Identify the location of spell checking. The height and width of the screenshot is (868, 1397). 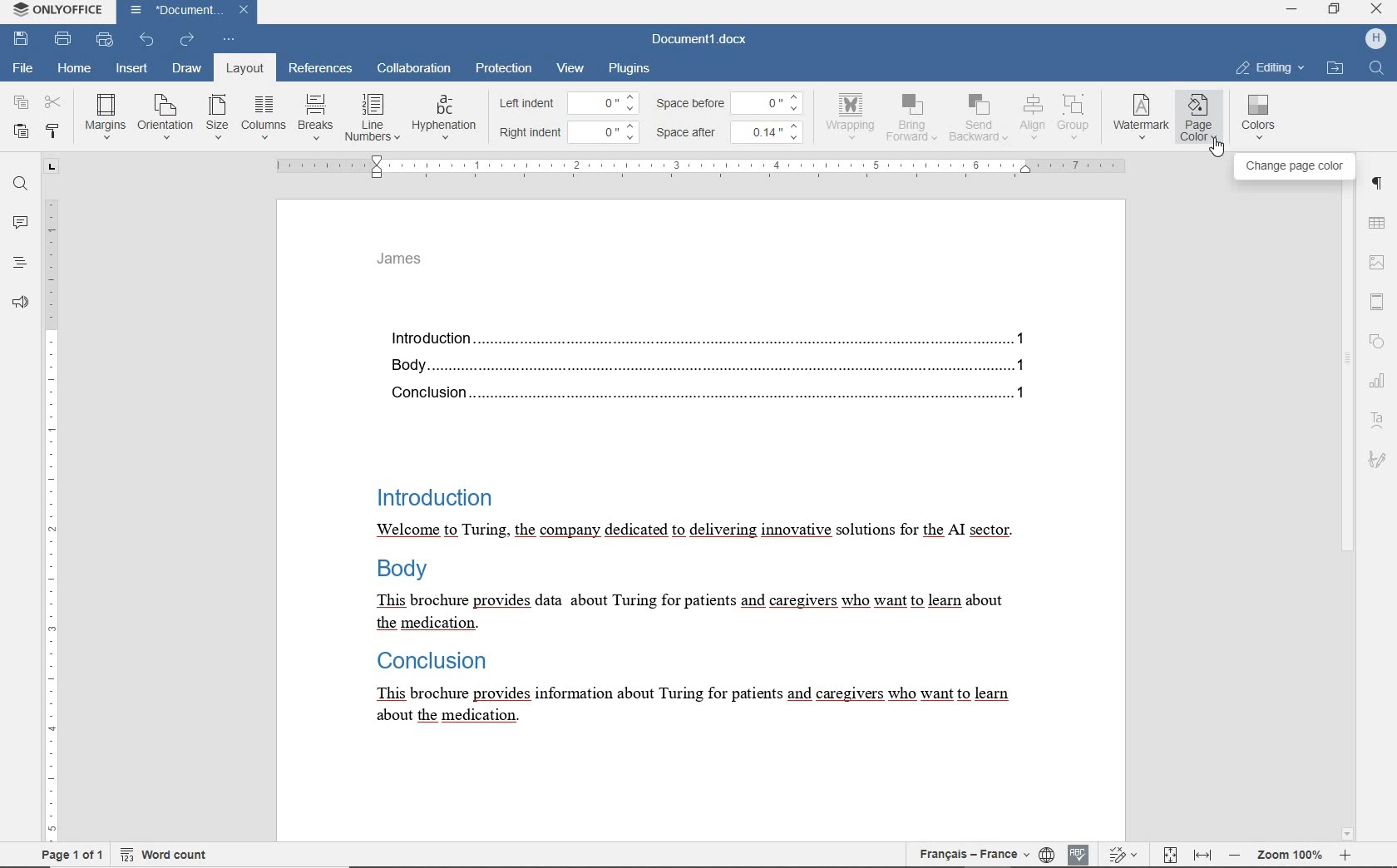
(1078, 851).